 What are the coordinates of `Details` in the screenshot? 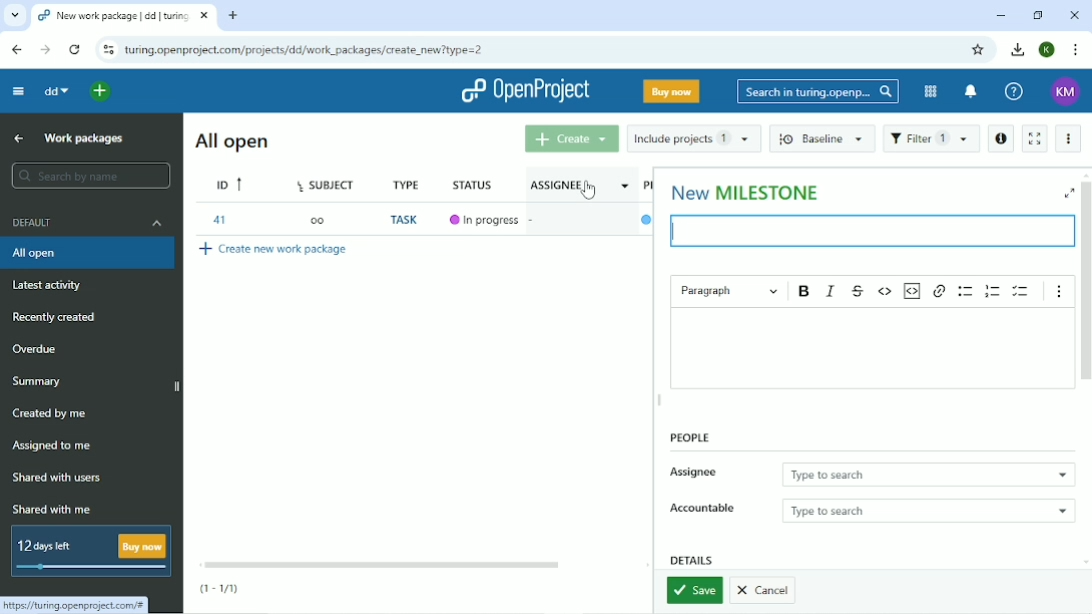 It's located at (692, 559).